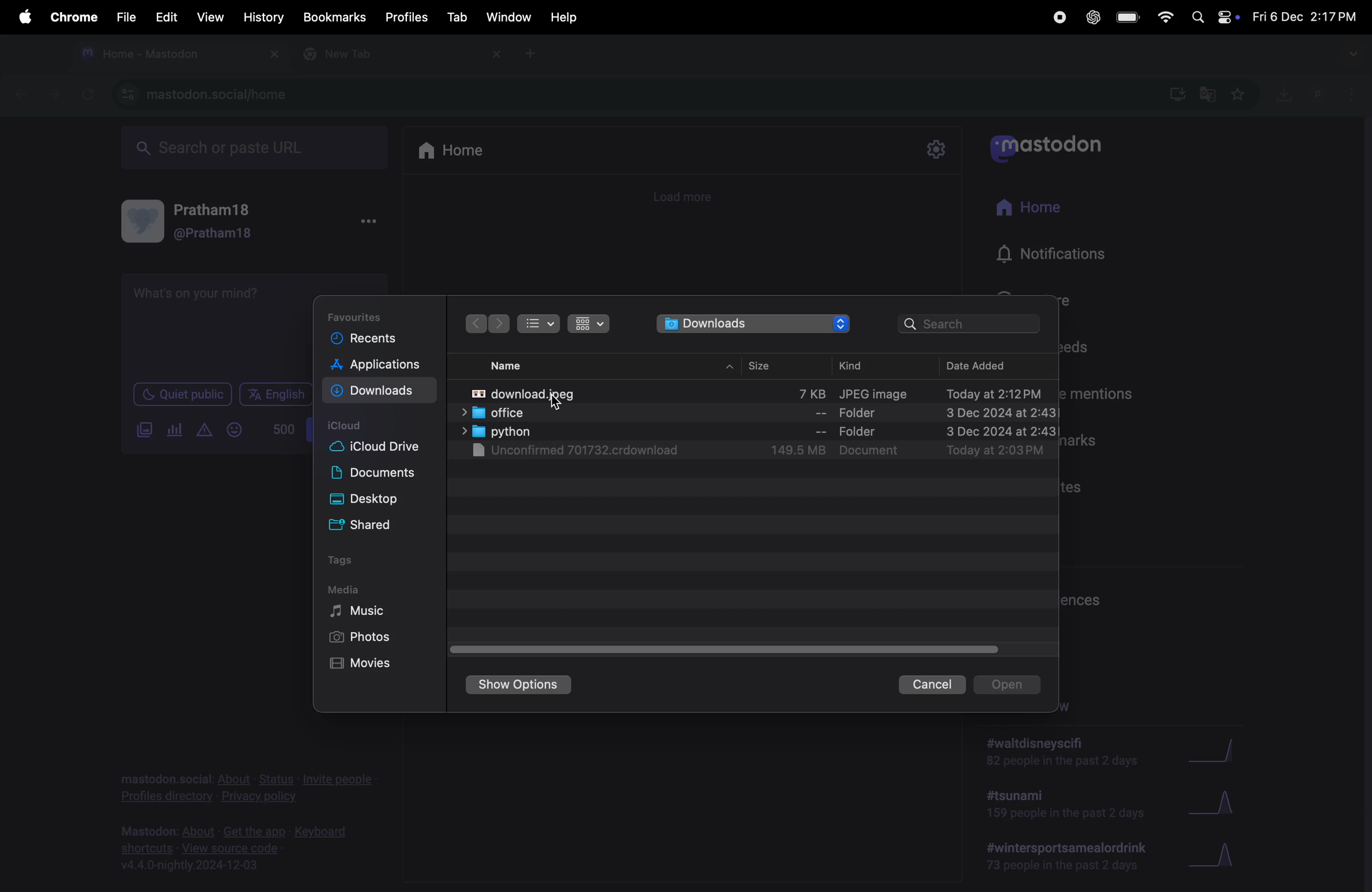  What do you see at coordinates (1228, 852) in the screenshot?
I see `Graph` at bounding box center [1228, 852].